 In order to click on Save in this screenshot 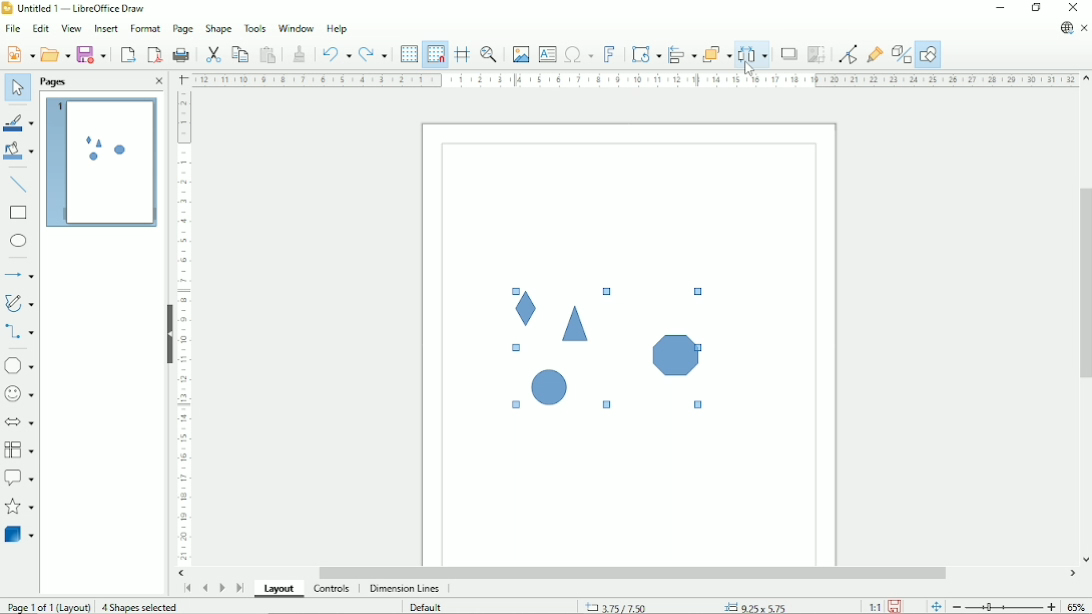, I will do `click(895, 606)`.